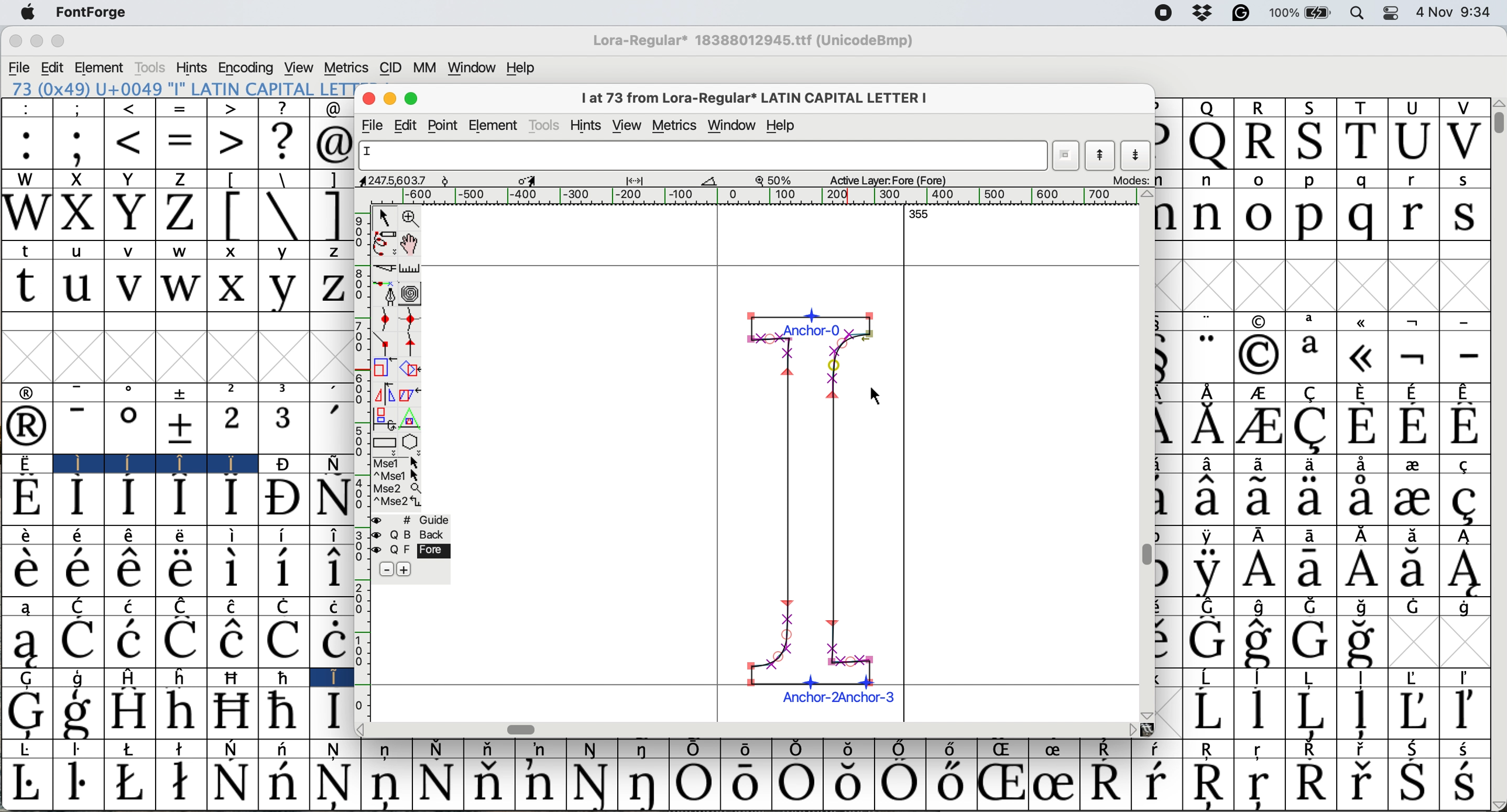 The height and width of the screenshot is (812, 1507). What do you see at coordinates (901, 748) in the screenshot?
I see `Symbol` at bounding box center [901, 748].